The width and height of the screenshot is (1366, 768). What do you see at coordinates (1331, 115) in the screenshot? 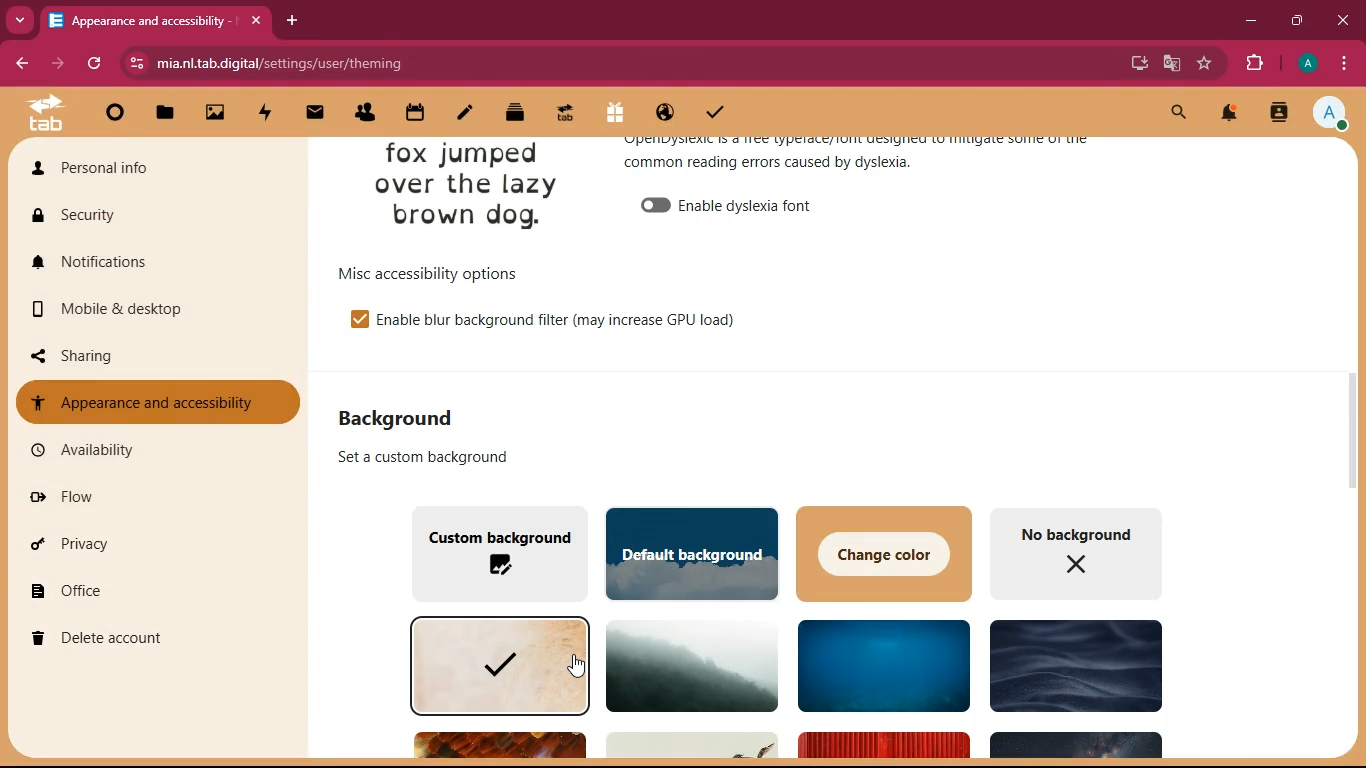
I see `profile` at bounding box center [1331, 115].